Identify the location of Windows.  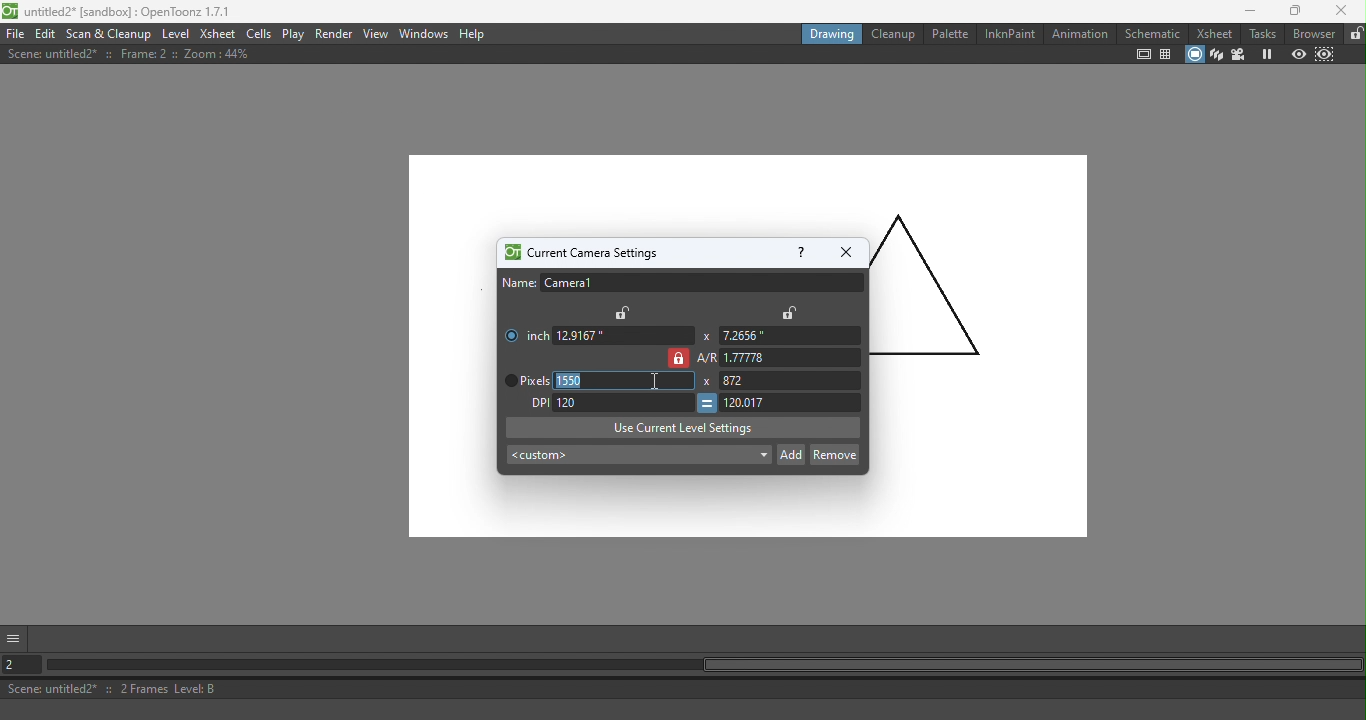
(424, 33).